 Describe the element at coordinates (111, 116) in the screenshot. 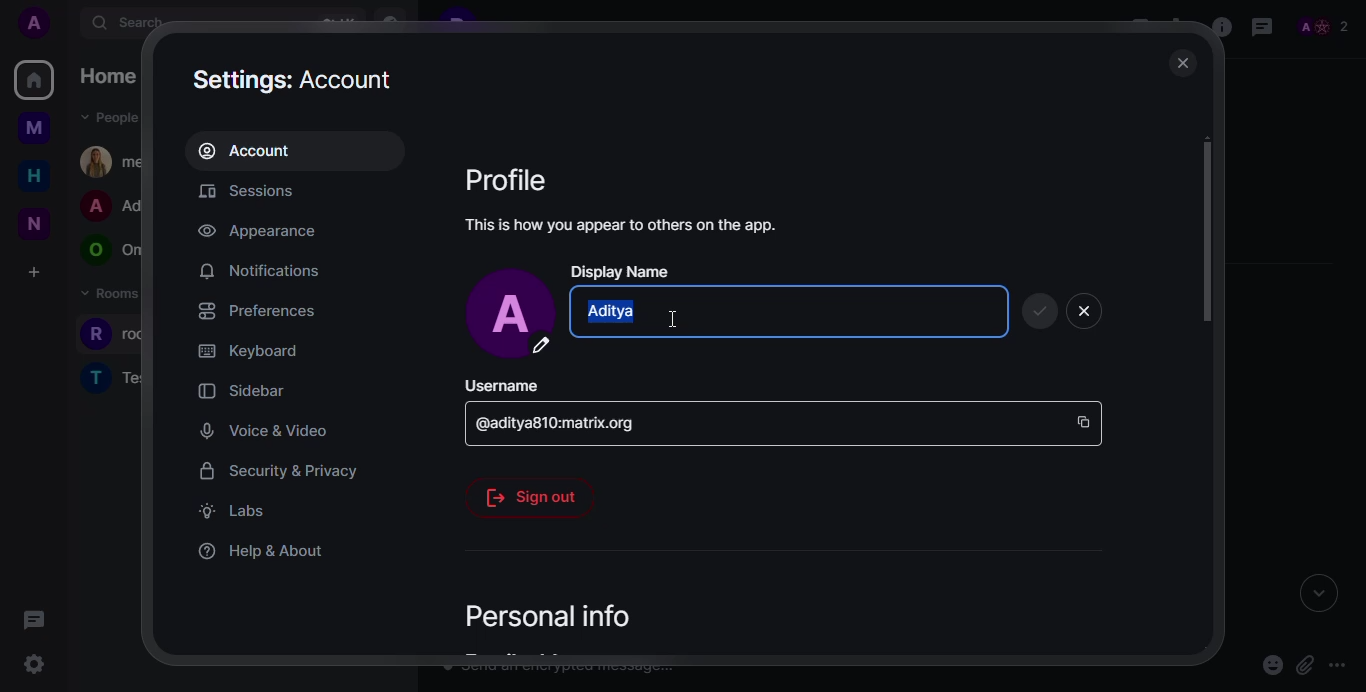

I see `people dropdown` at that location.